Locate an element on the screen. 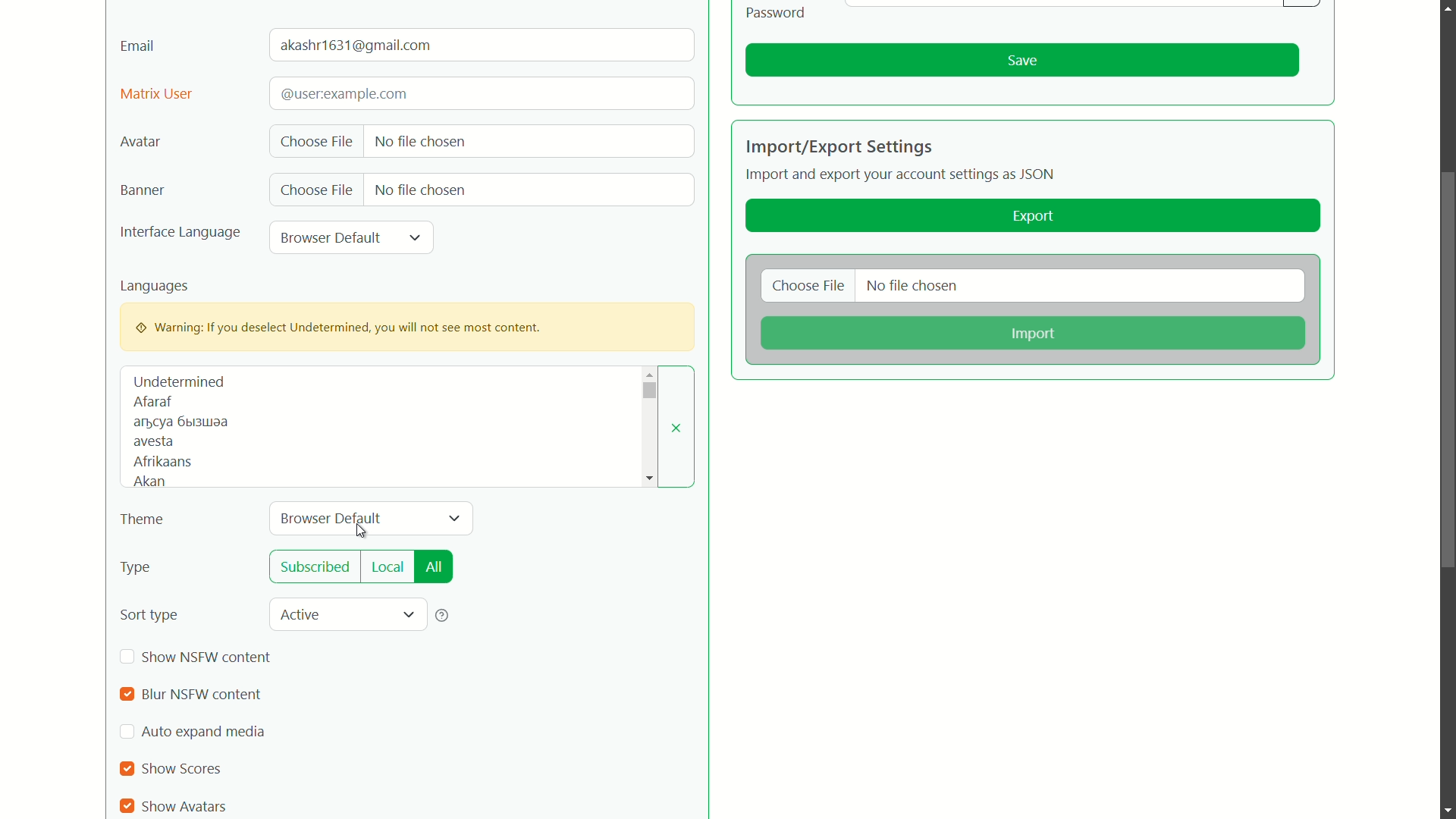 The height and width of the screenshot is (819, 1456). banner is located at coordinates (140, 190).